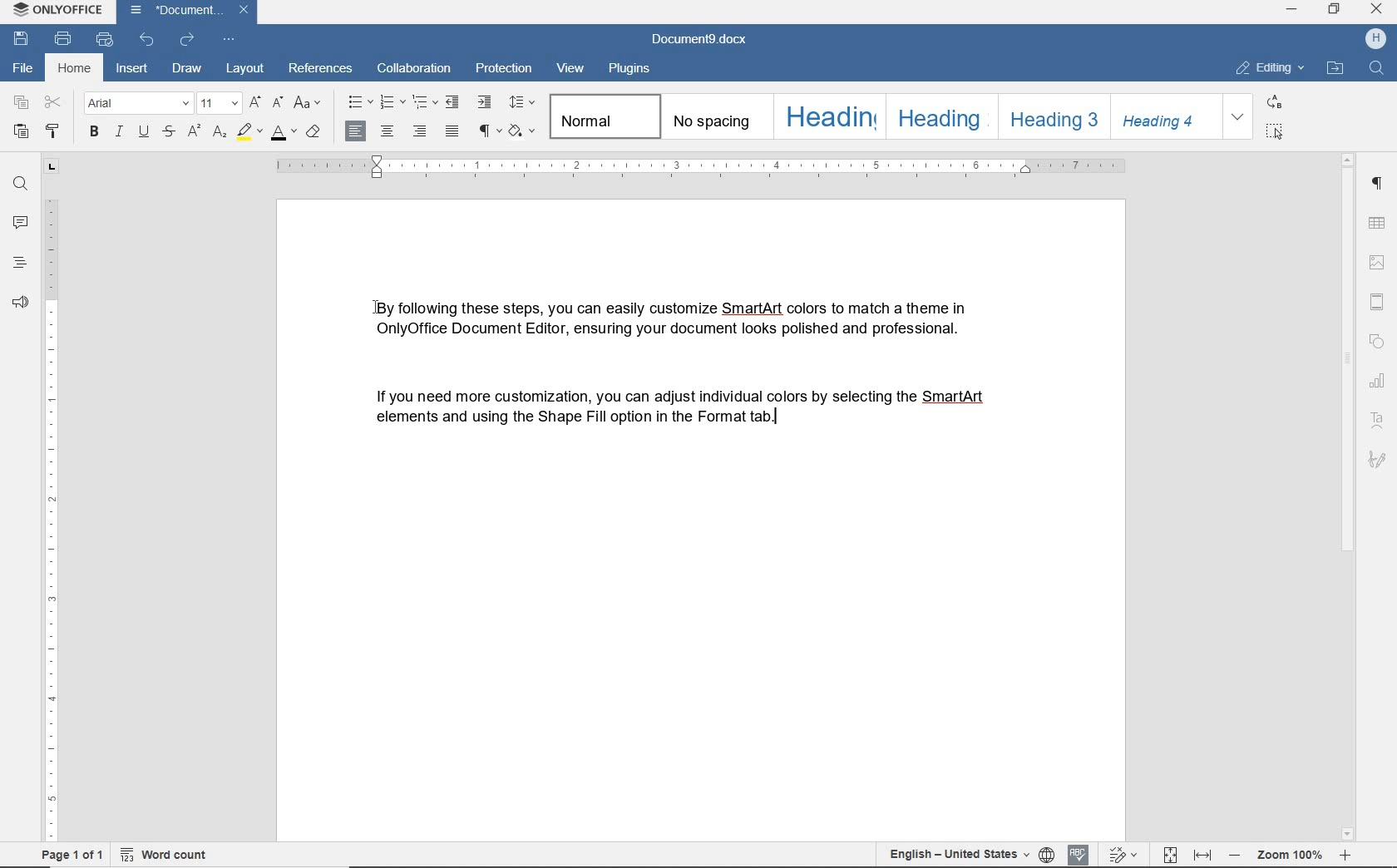  What do you see at coordinates (1378, 261) in the screenshot?
I see `image` at bounding box center [1378, 261].